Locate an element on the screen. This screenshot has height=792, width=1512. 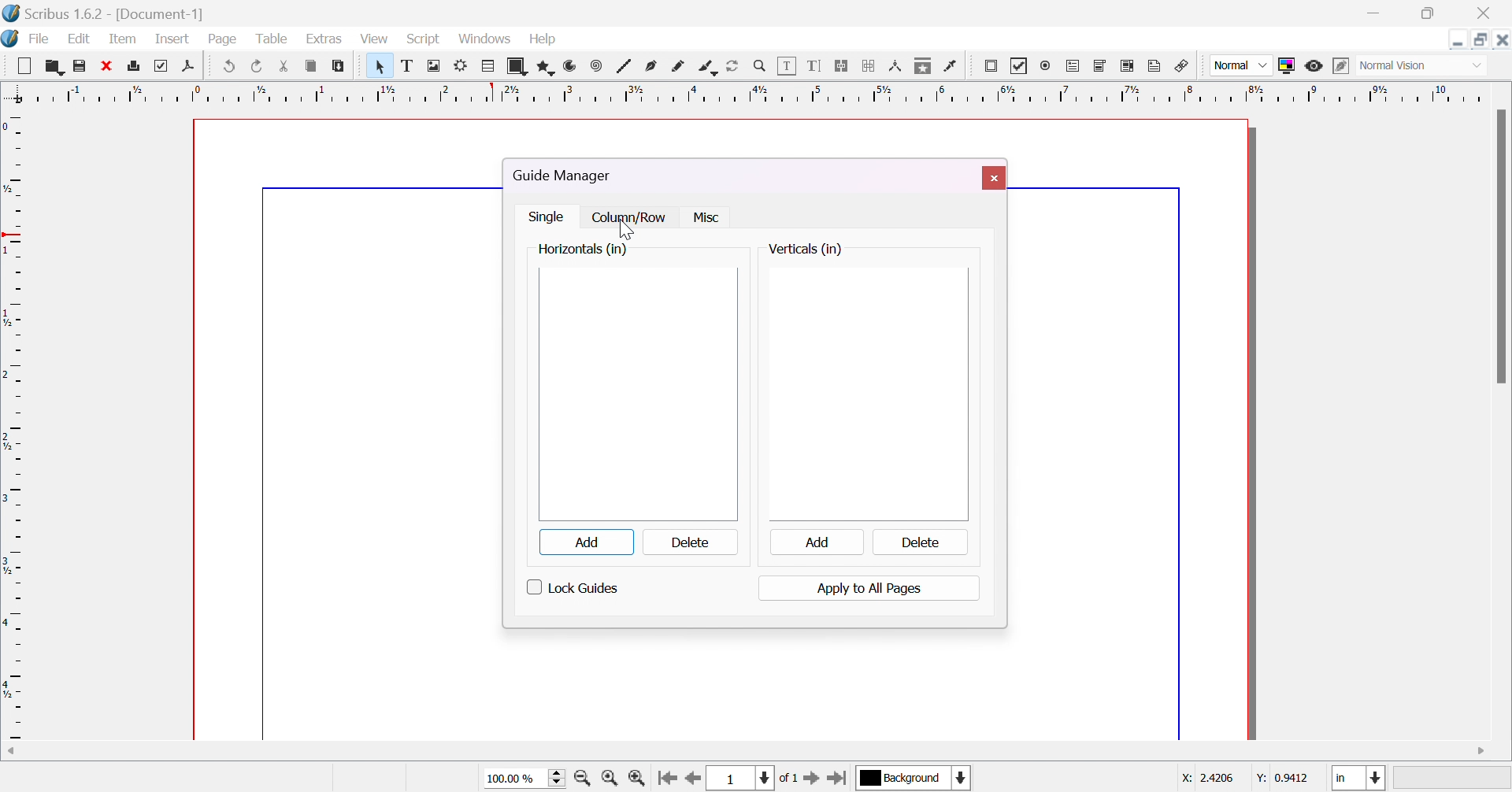
table is located at coordinates (275, 40).